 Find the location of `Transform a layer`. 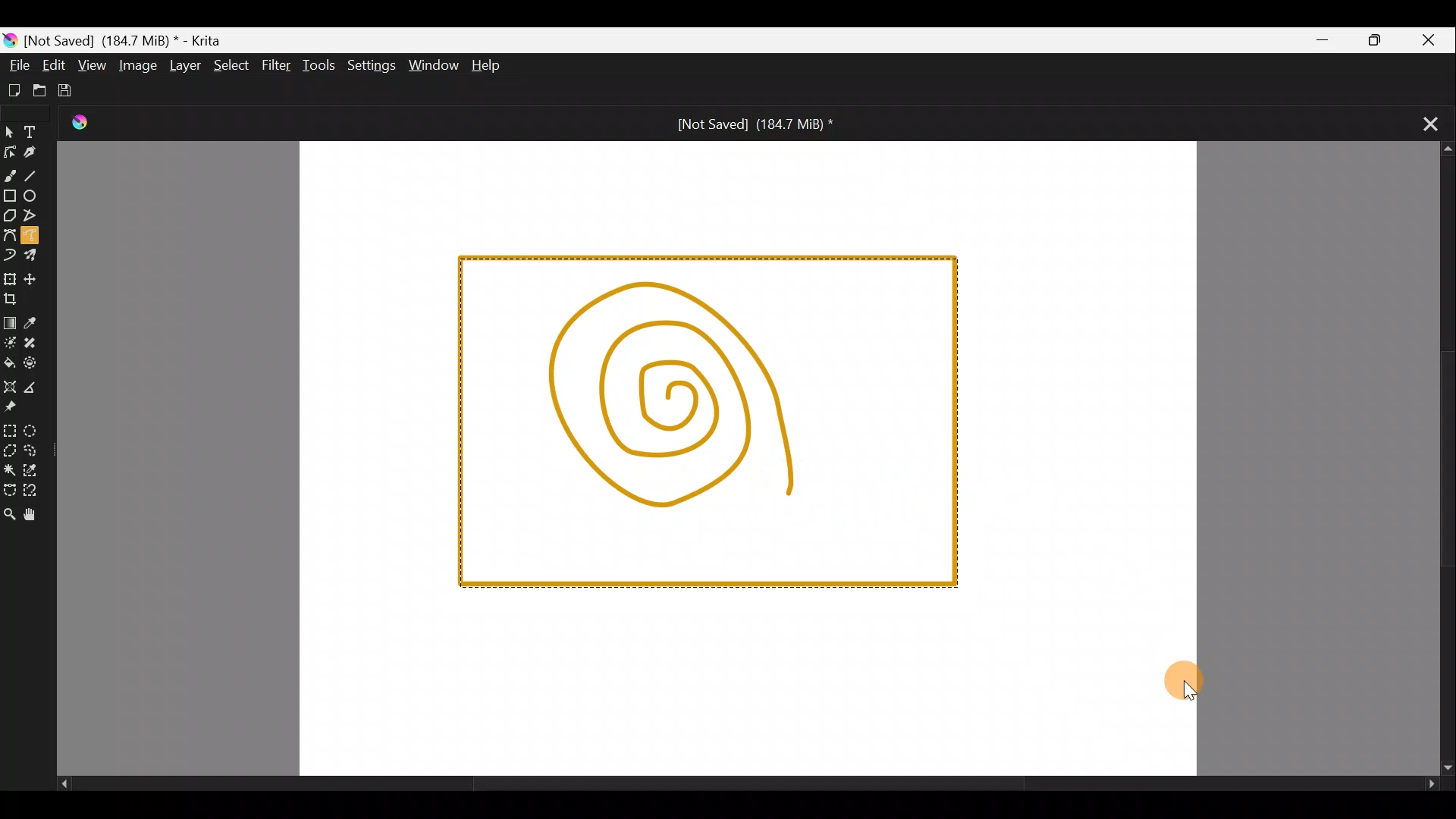

Transform a layer is located at coordinates (9, 280).